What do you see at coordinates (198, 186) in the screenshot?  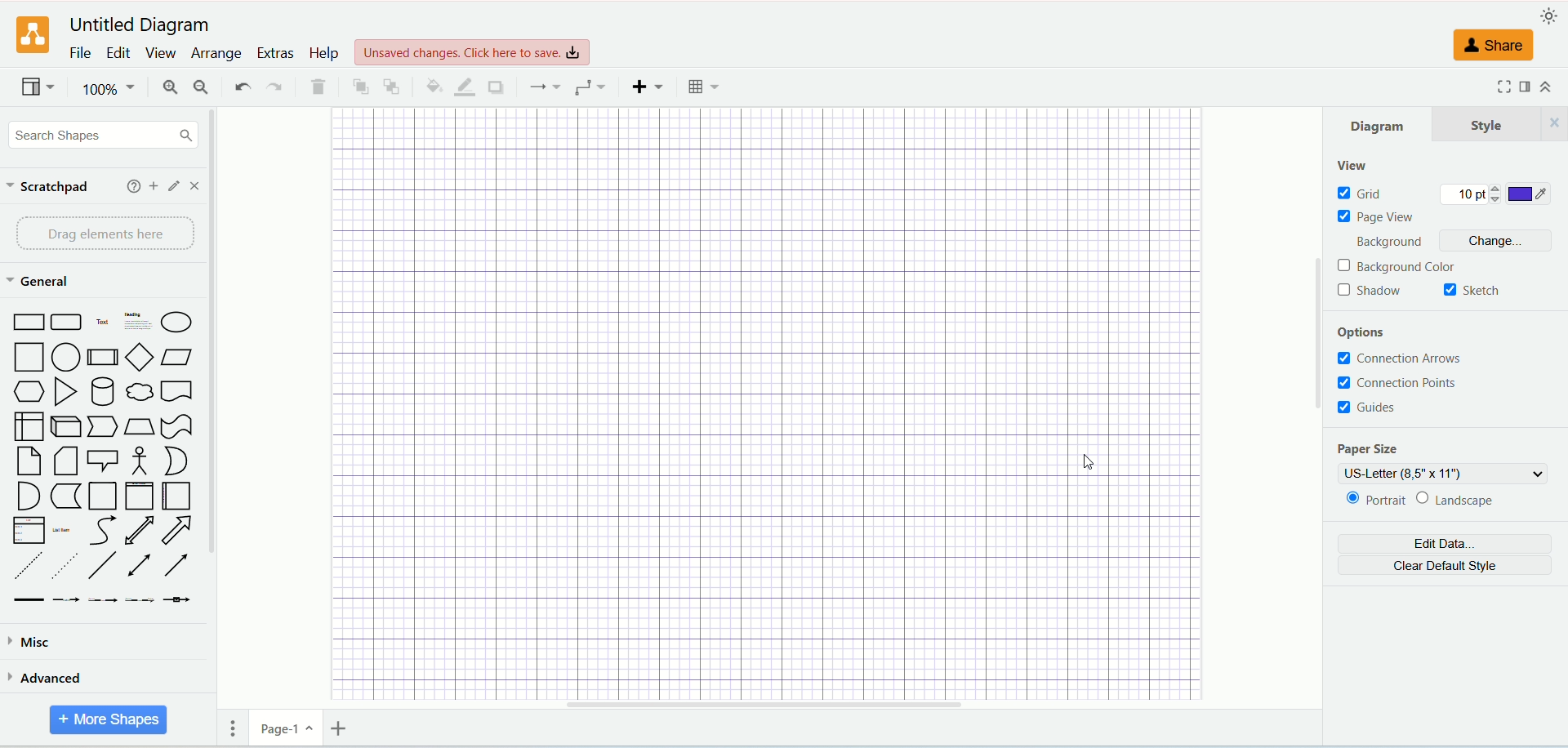 I see `close` at bounding box center [198, 186].